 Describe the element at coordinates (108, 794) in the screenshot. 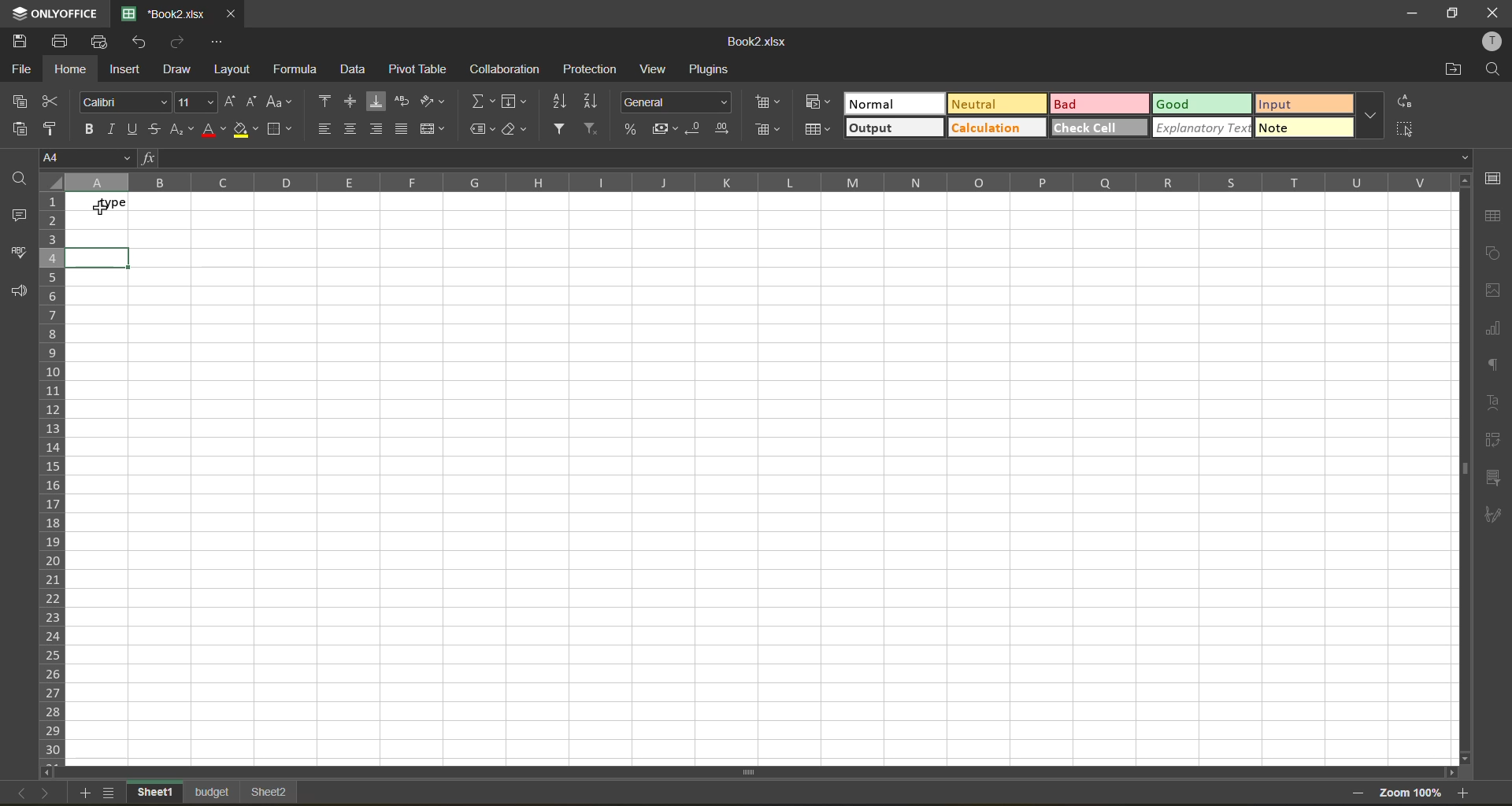

I see `sheet list` at that location.